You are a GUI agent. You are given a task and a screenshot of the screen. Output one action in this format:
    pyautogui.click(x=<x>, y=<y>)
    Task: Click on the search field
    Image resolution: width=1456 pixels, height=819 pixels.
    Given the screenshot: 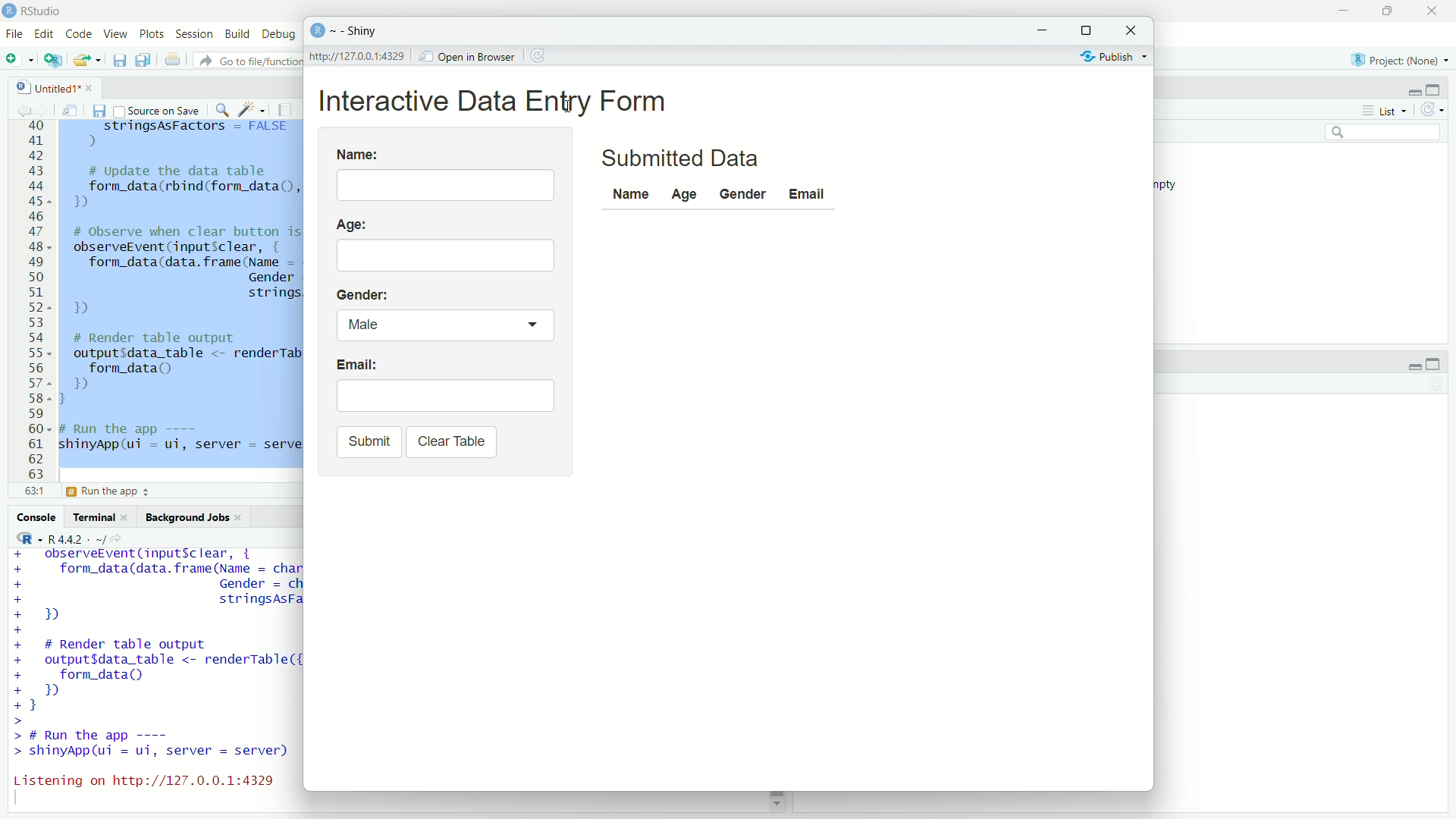 What is the action you would take?
    pyautogui.click(x=1385, y=135)
    